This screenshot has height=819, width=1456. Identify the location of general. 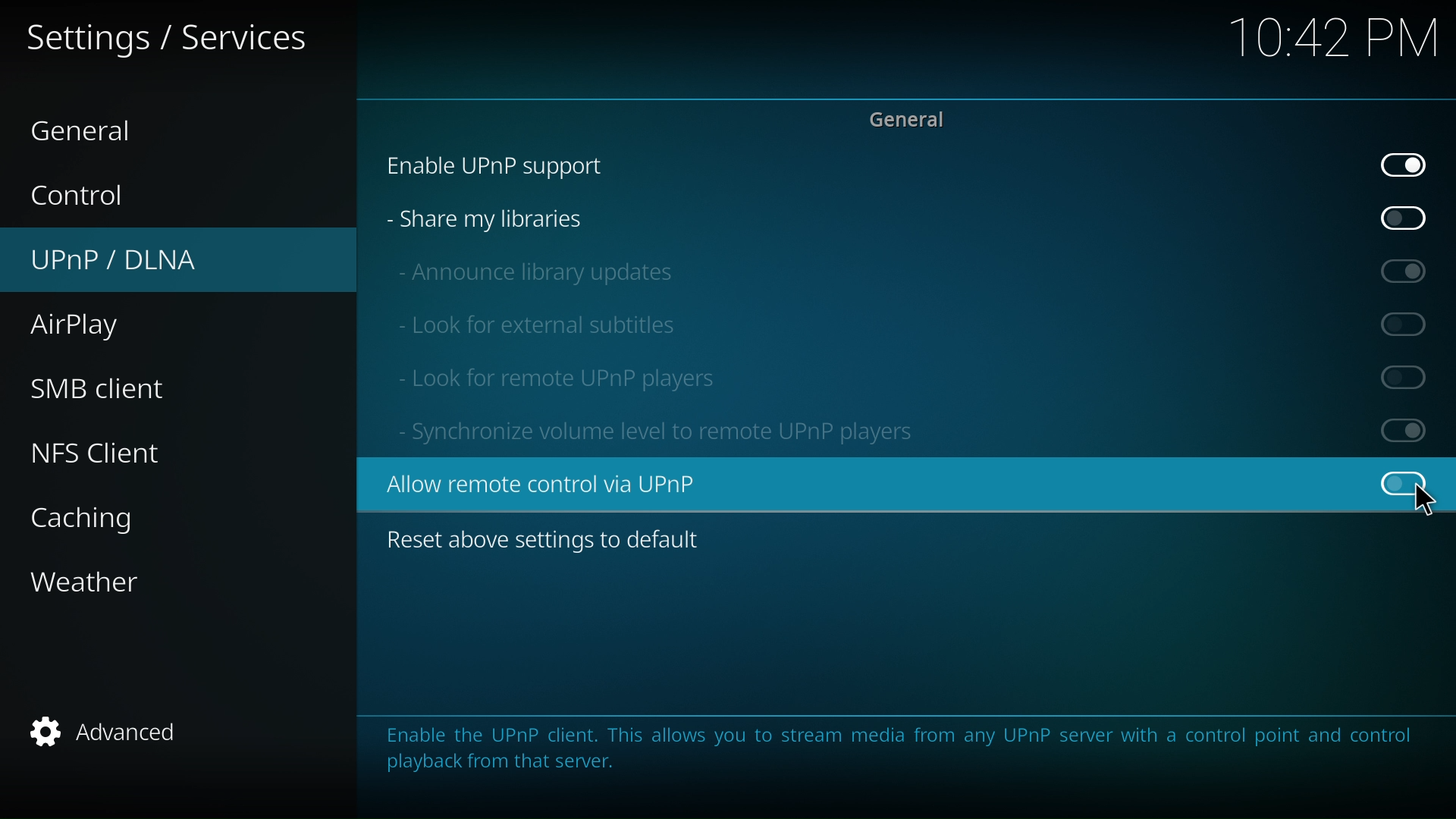
(907, 118).